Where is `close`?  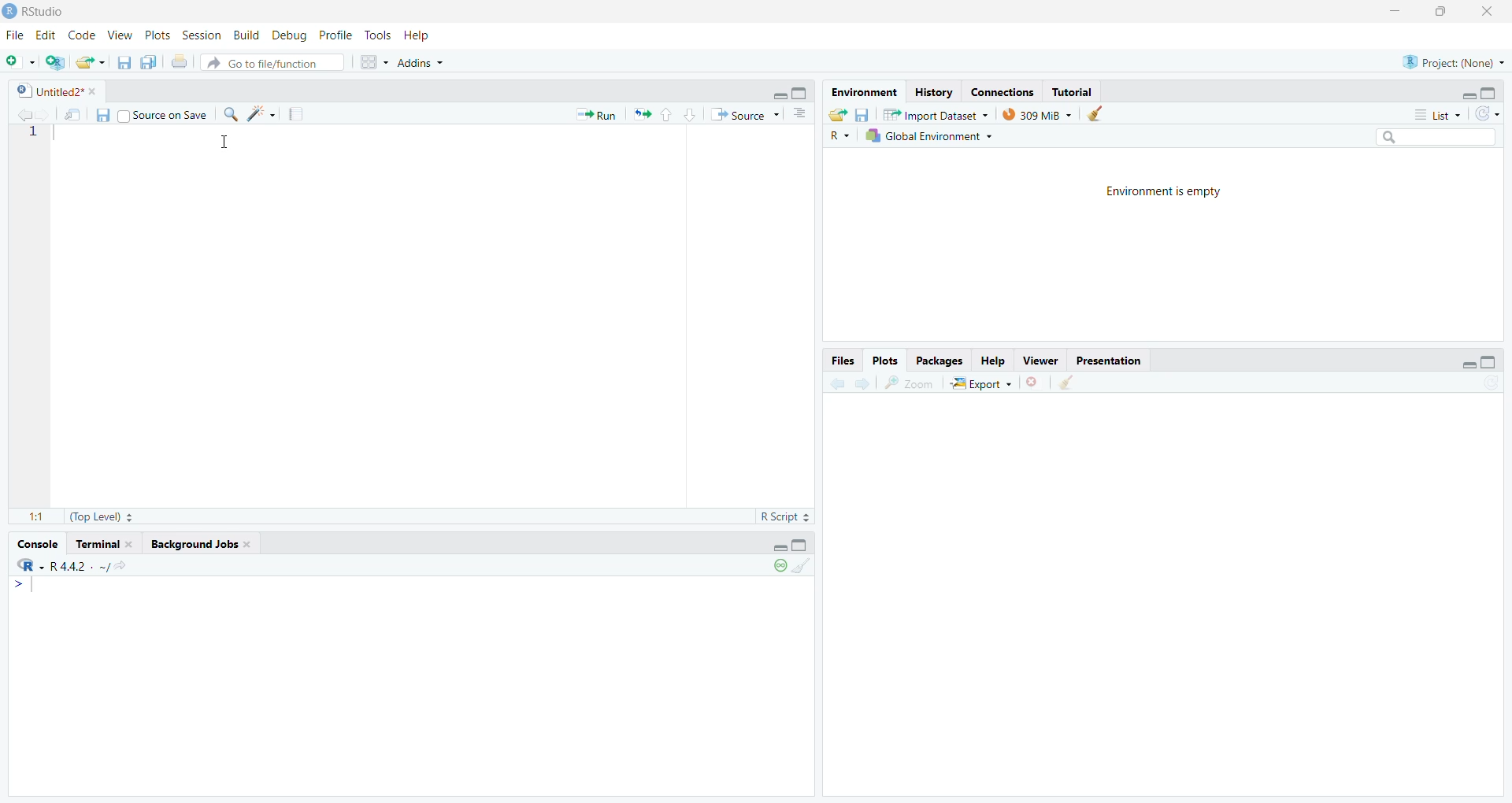
close is located at coordinates (1493, 12).